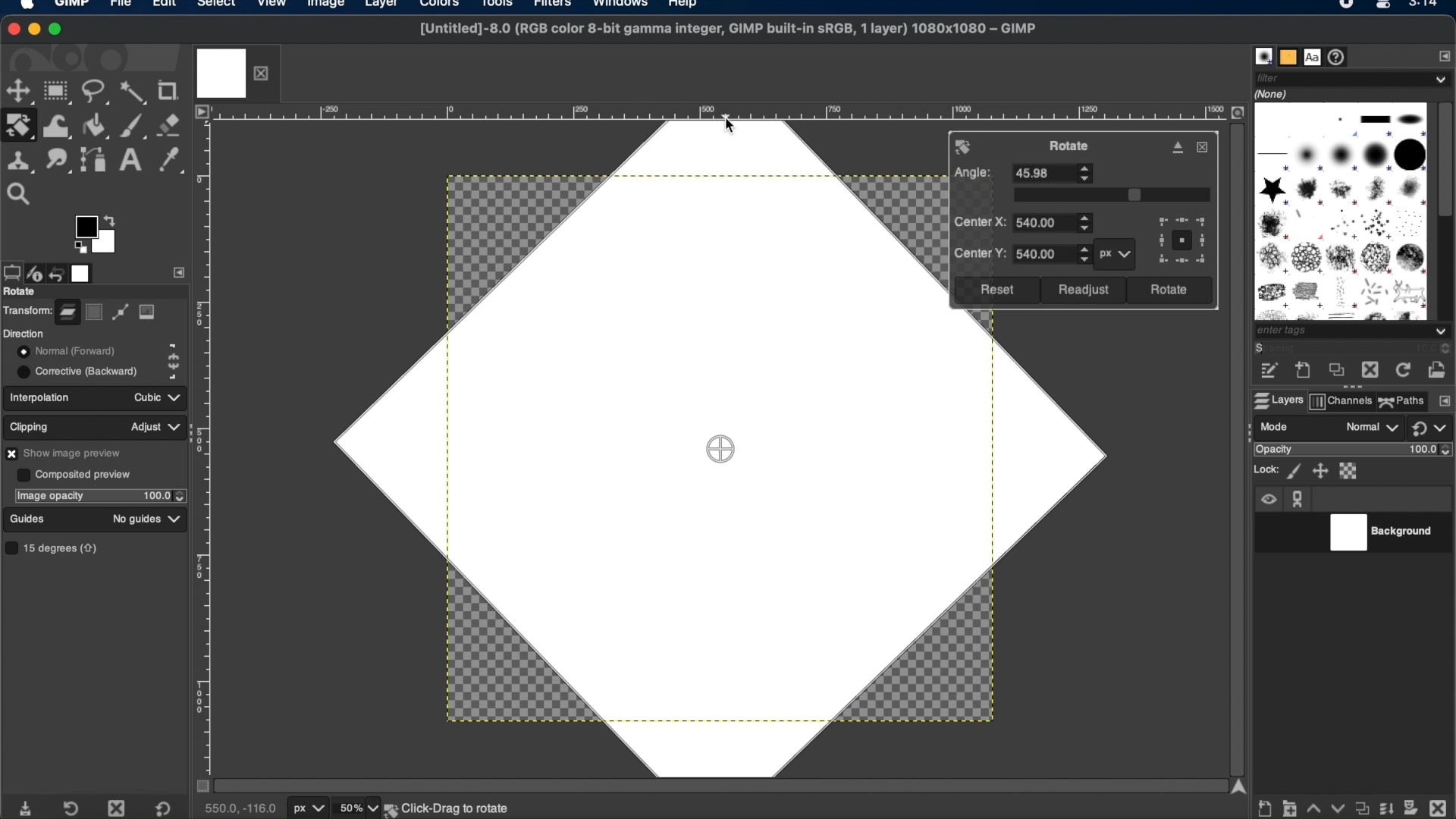  Describe the element at coordinates (1023, 174) in the screenshot. I see `angle` at that location.